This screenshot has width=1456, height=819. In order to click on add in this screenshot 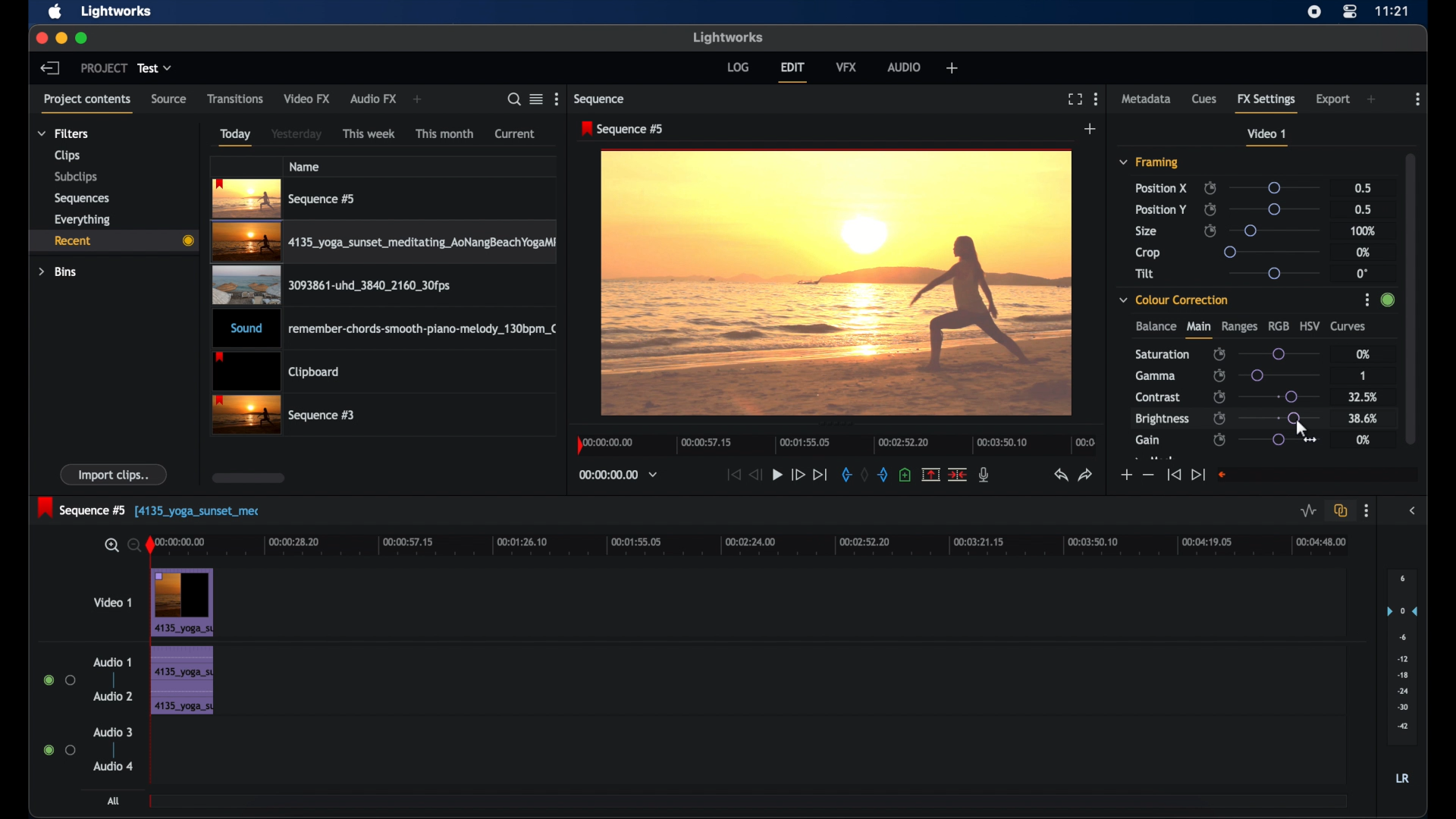, I will do `click(417, 99)`.